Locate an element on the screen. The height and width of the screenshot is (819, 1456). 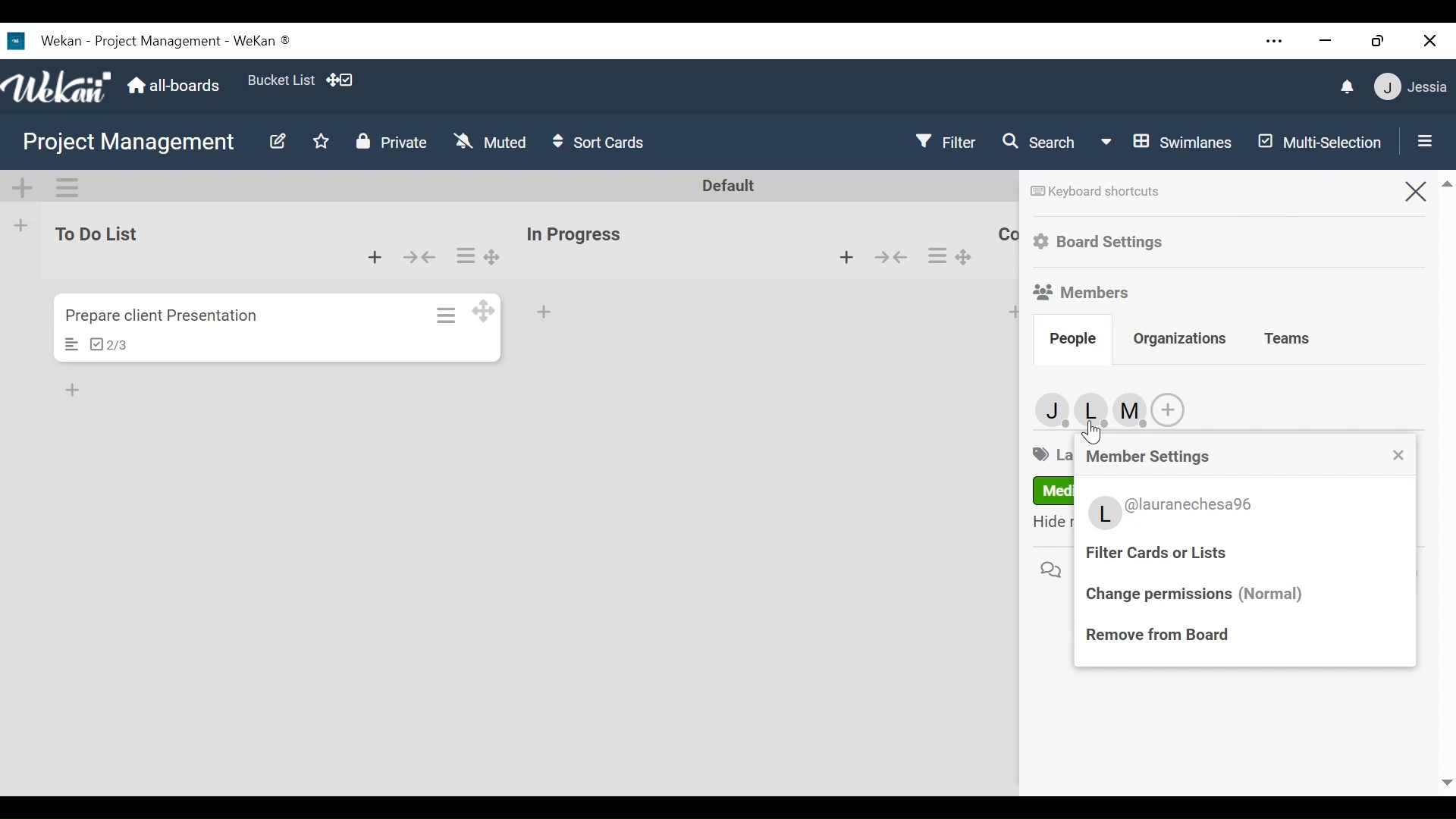
Favorites is located at coordinates (319, 142).